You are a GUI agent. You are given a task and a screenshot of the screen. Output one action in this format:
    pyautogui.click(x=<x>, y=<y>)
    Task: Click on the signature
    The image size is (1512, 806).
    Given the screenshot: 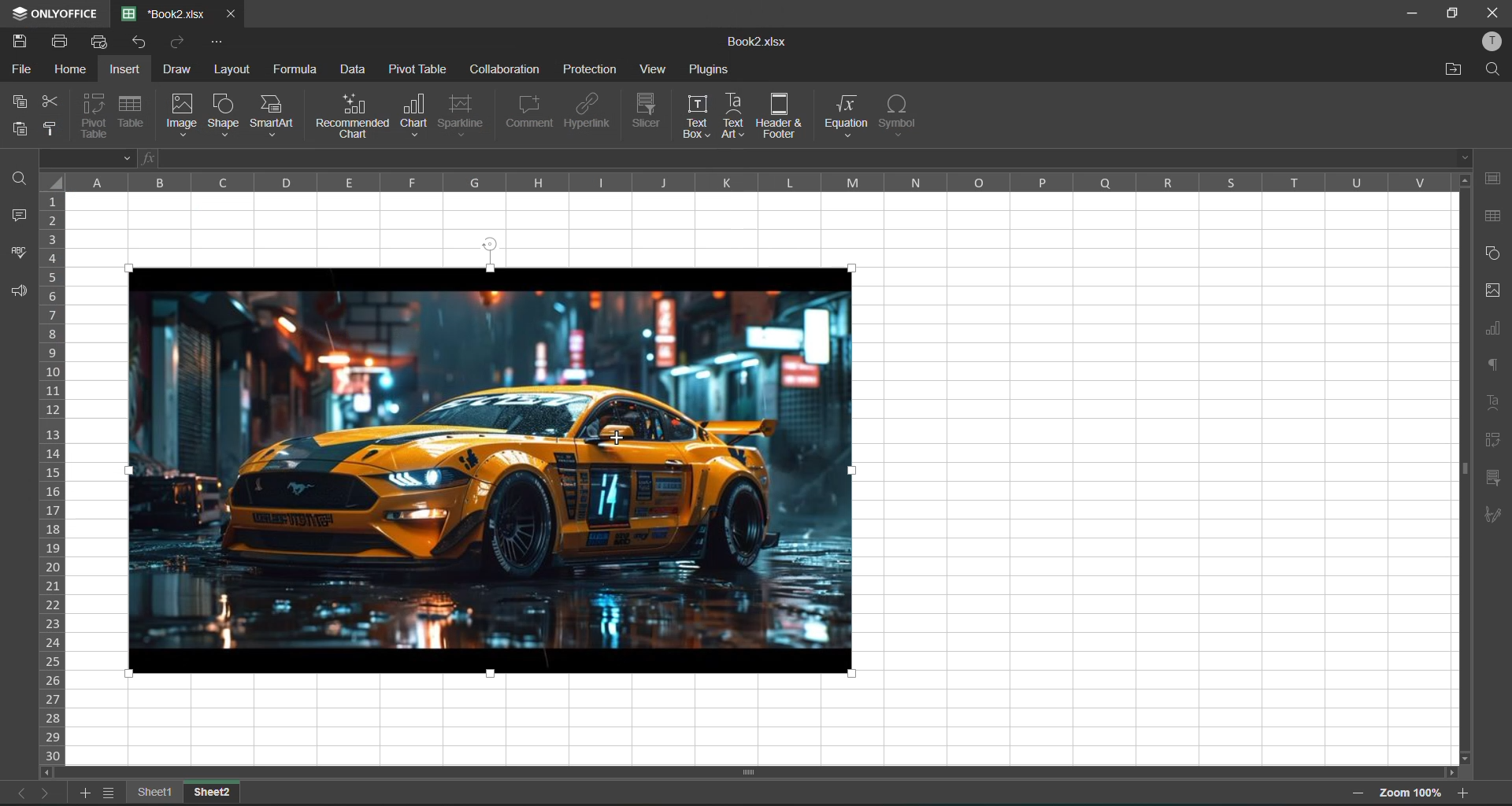 What is the action you would take?
    pyautogui.click(x=1495, y=514)
    